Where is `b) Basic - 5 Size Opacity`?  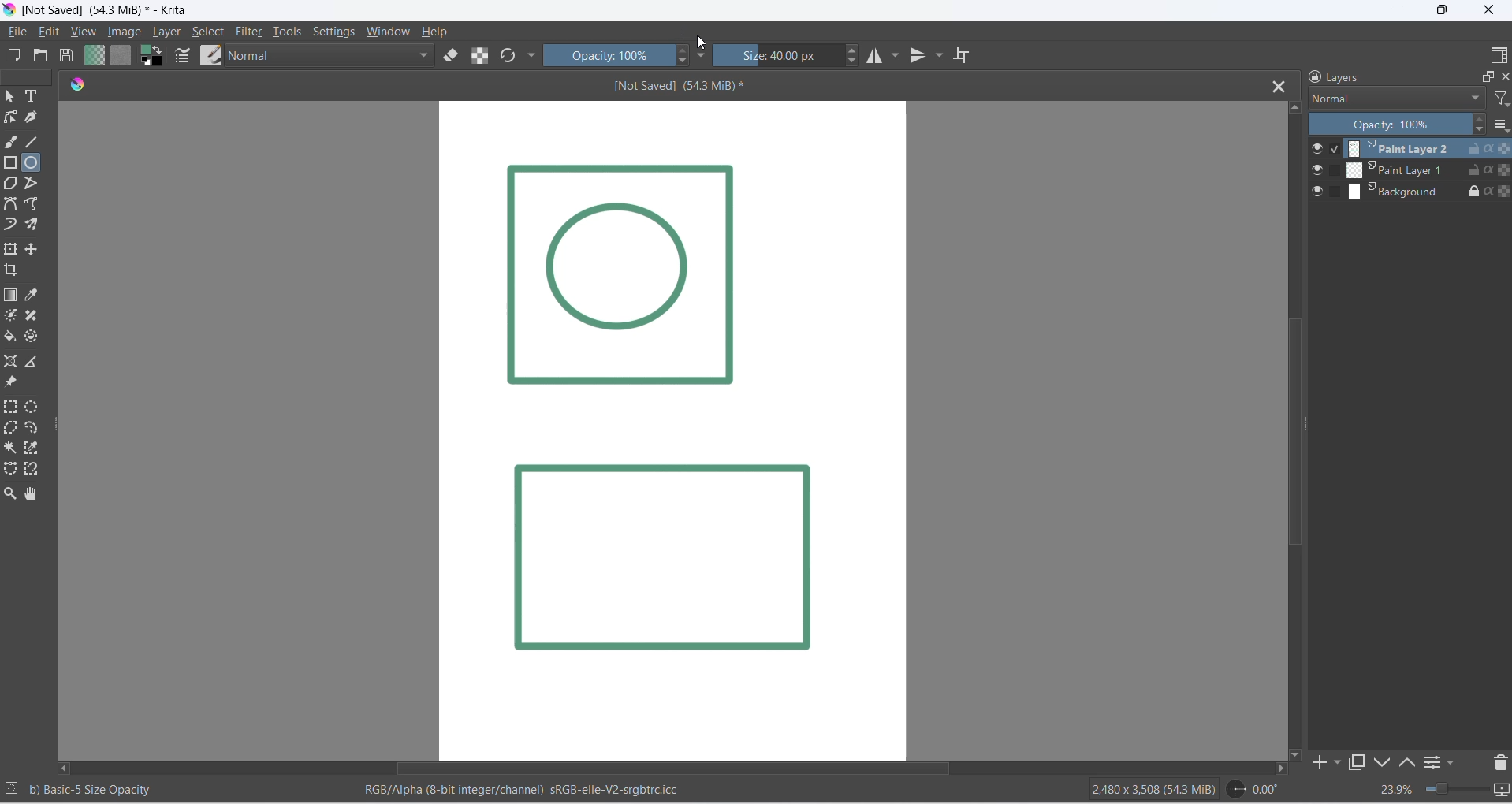 b) Basic - 5 Size Opacity is located at coordinates (99, 791).